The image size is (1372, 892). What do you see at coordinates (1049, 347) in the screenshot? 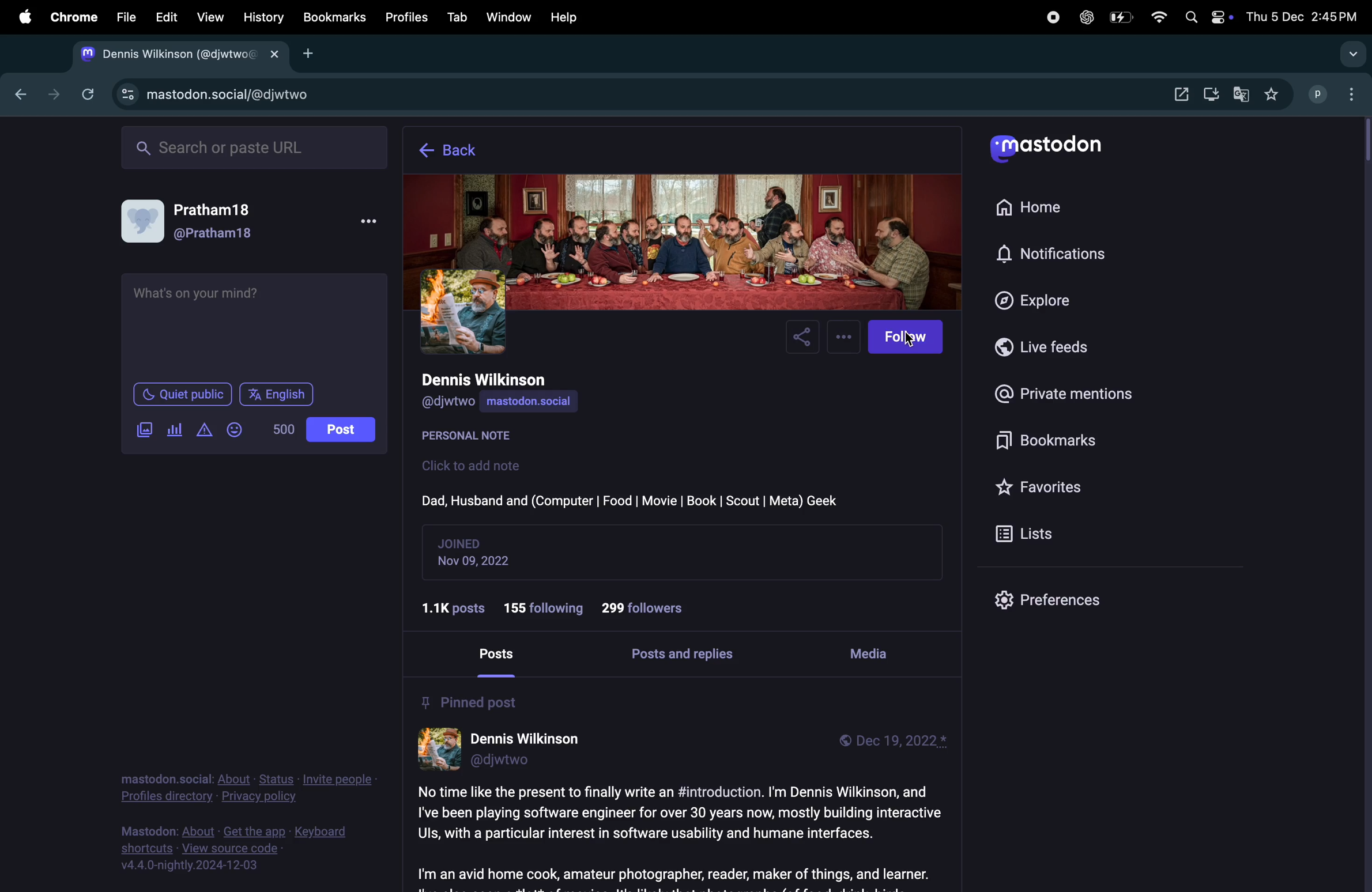
I see `live feeds` at bounding box center [1049, 347].